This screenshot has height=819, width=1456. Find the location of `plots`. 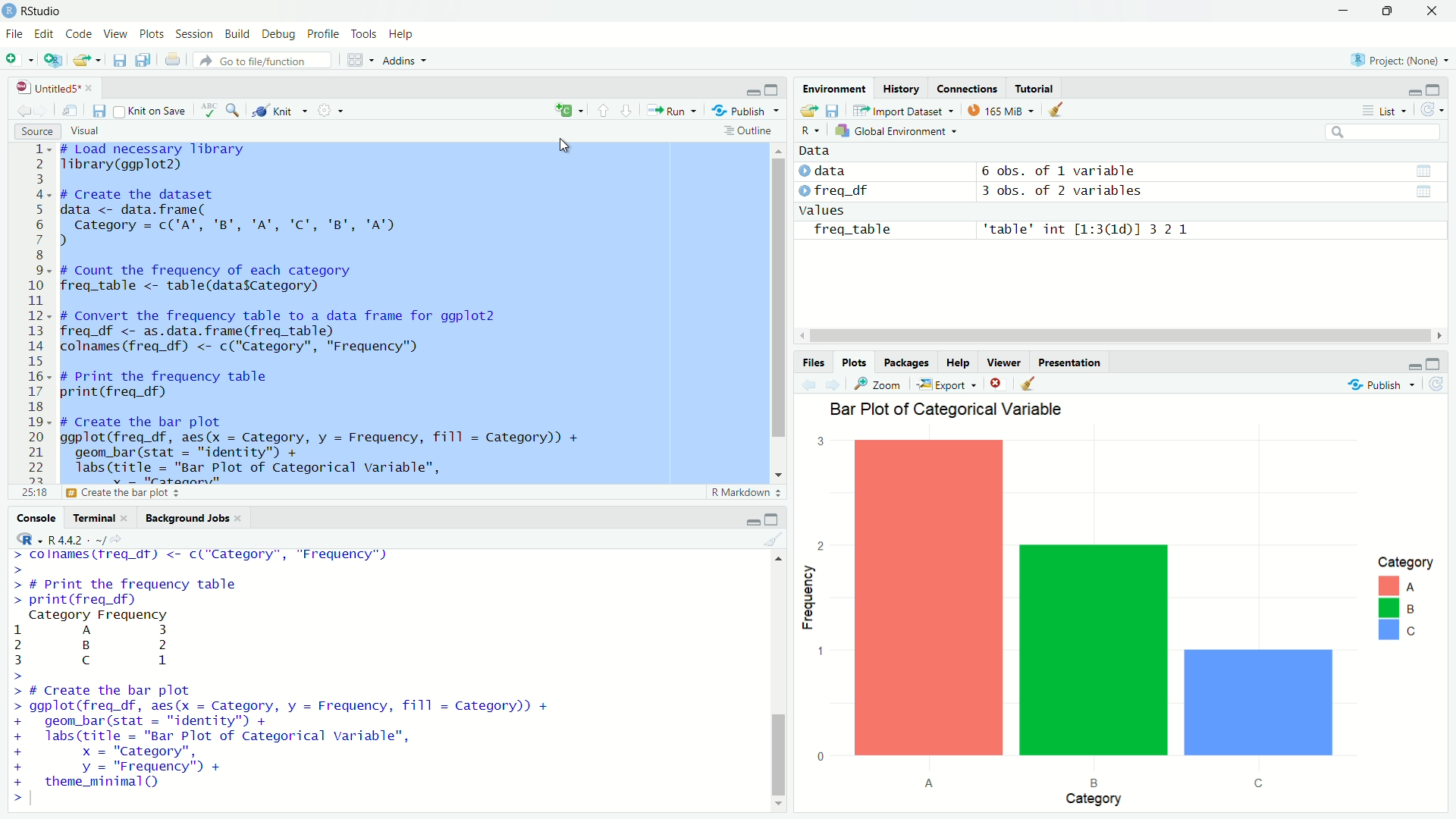

plots is located at coordinates (152, 35).